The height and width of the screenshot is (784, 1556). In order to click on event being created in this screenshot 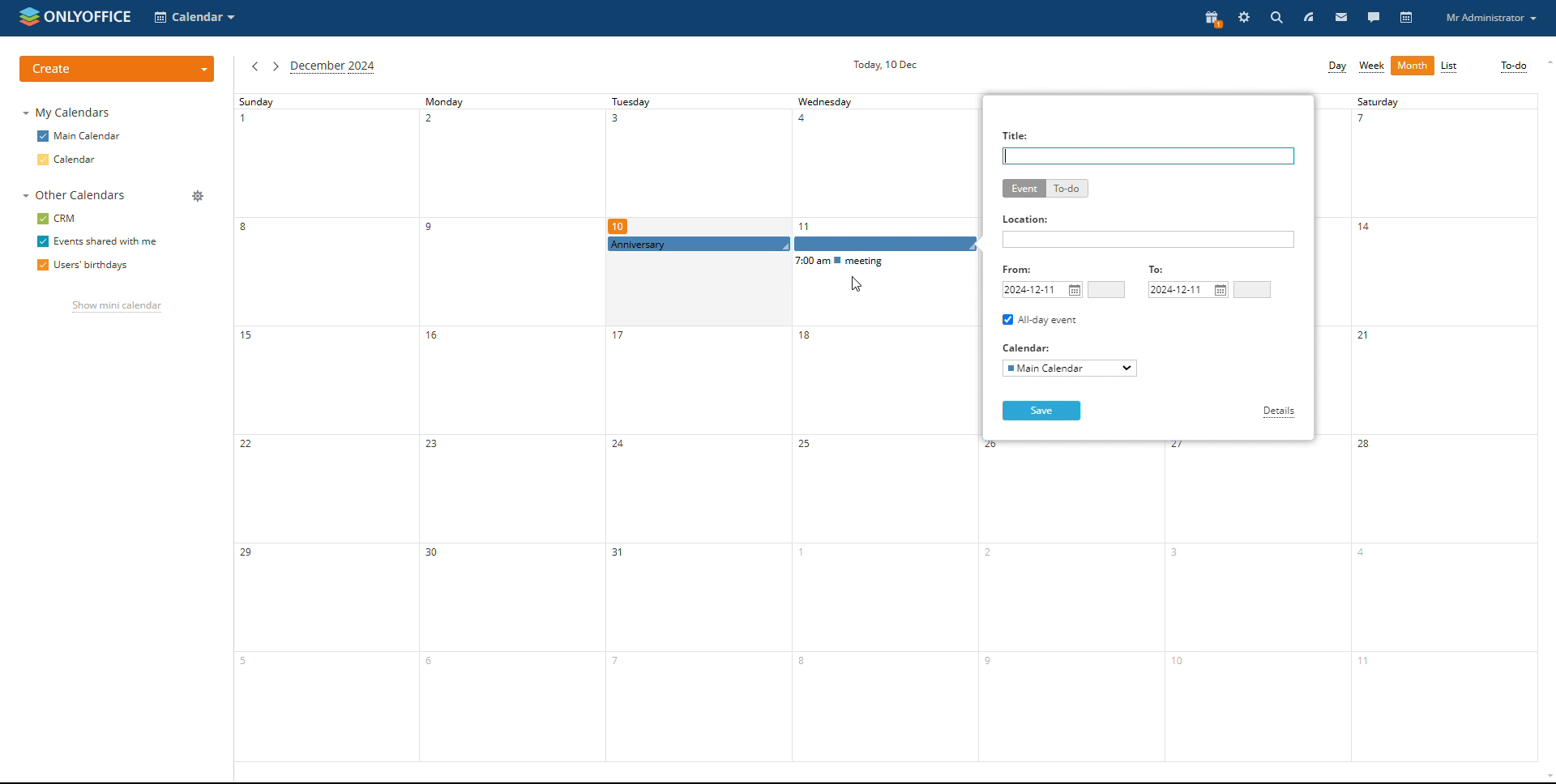, I will do `click(792, 245)`.